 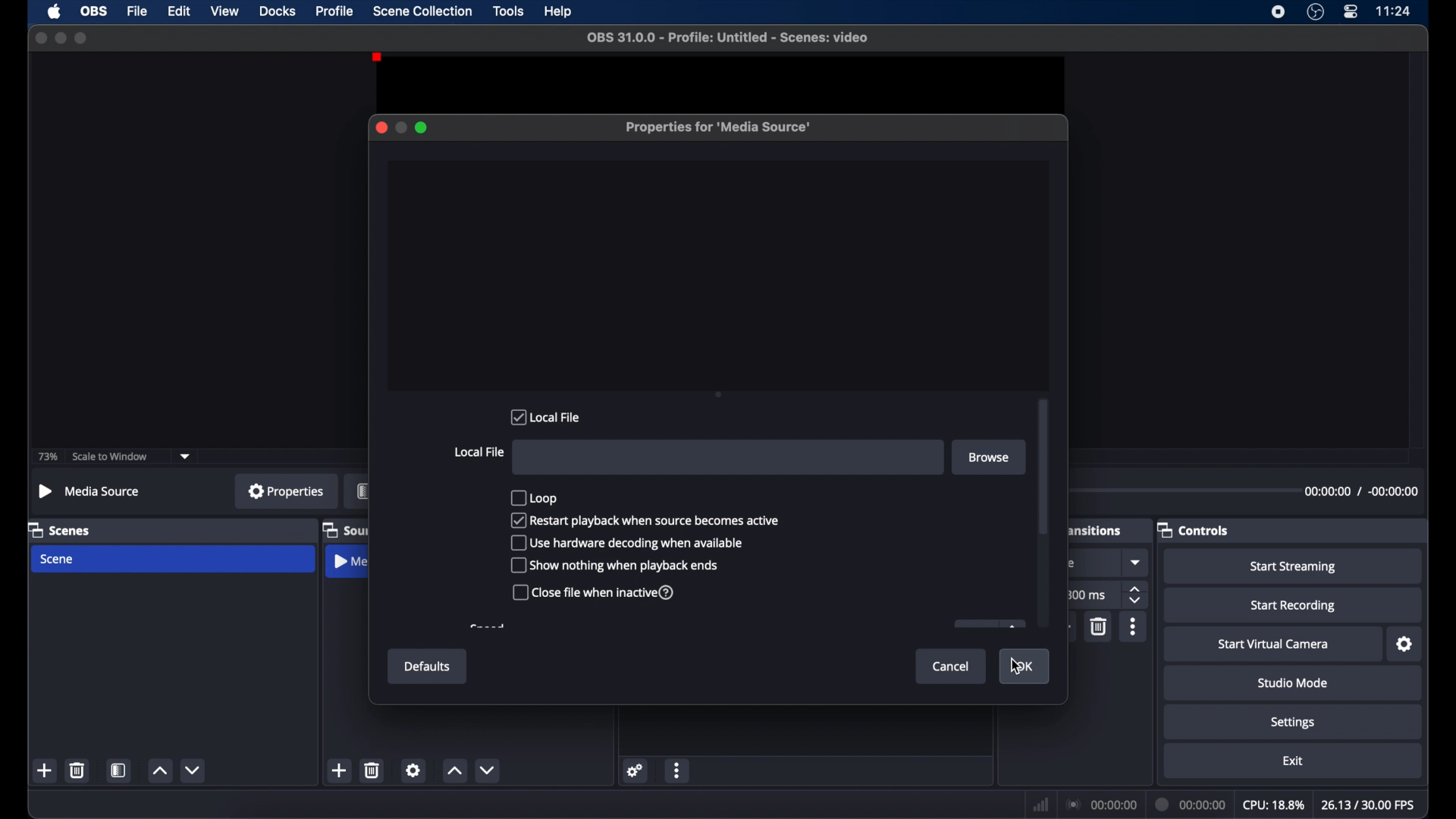 I want to click on browse, so click(x=990, y=457).